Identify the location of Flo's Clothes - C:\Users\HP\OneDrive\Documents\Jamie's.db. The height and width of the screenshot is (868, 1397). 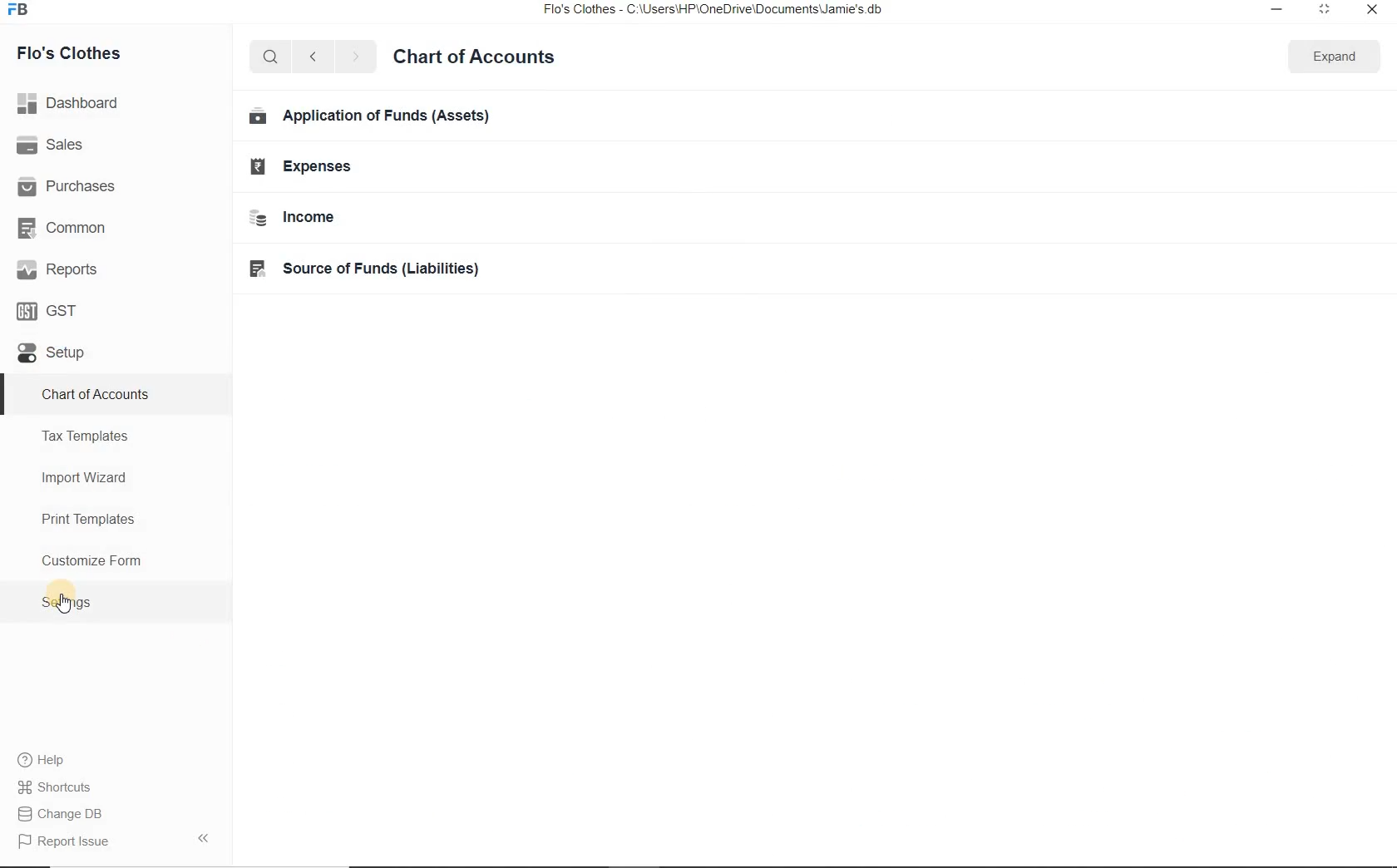
(718, 11).